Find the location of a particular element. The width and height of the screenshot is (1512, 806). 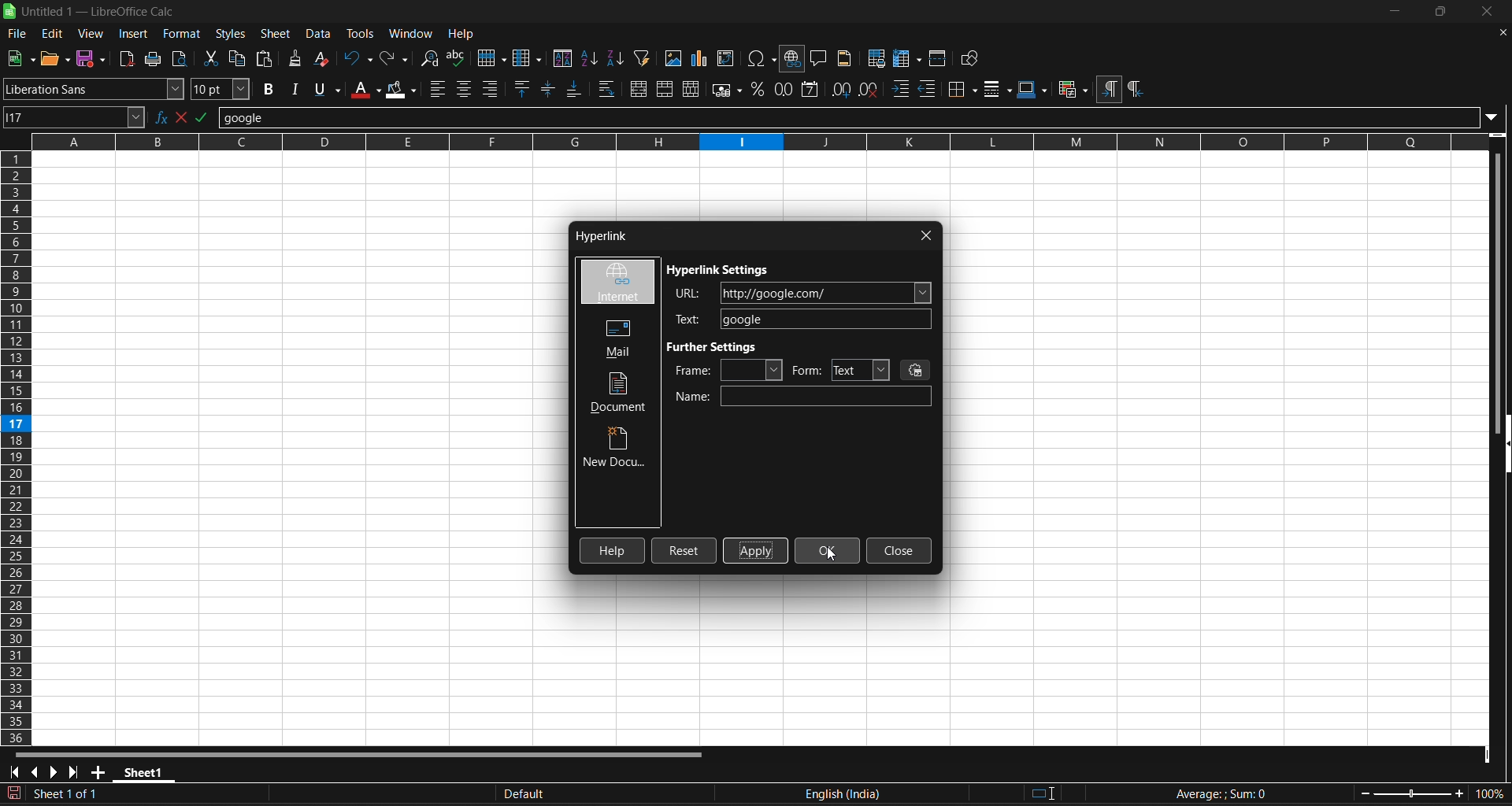

show draw functions is located at coordinates (973, 58).